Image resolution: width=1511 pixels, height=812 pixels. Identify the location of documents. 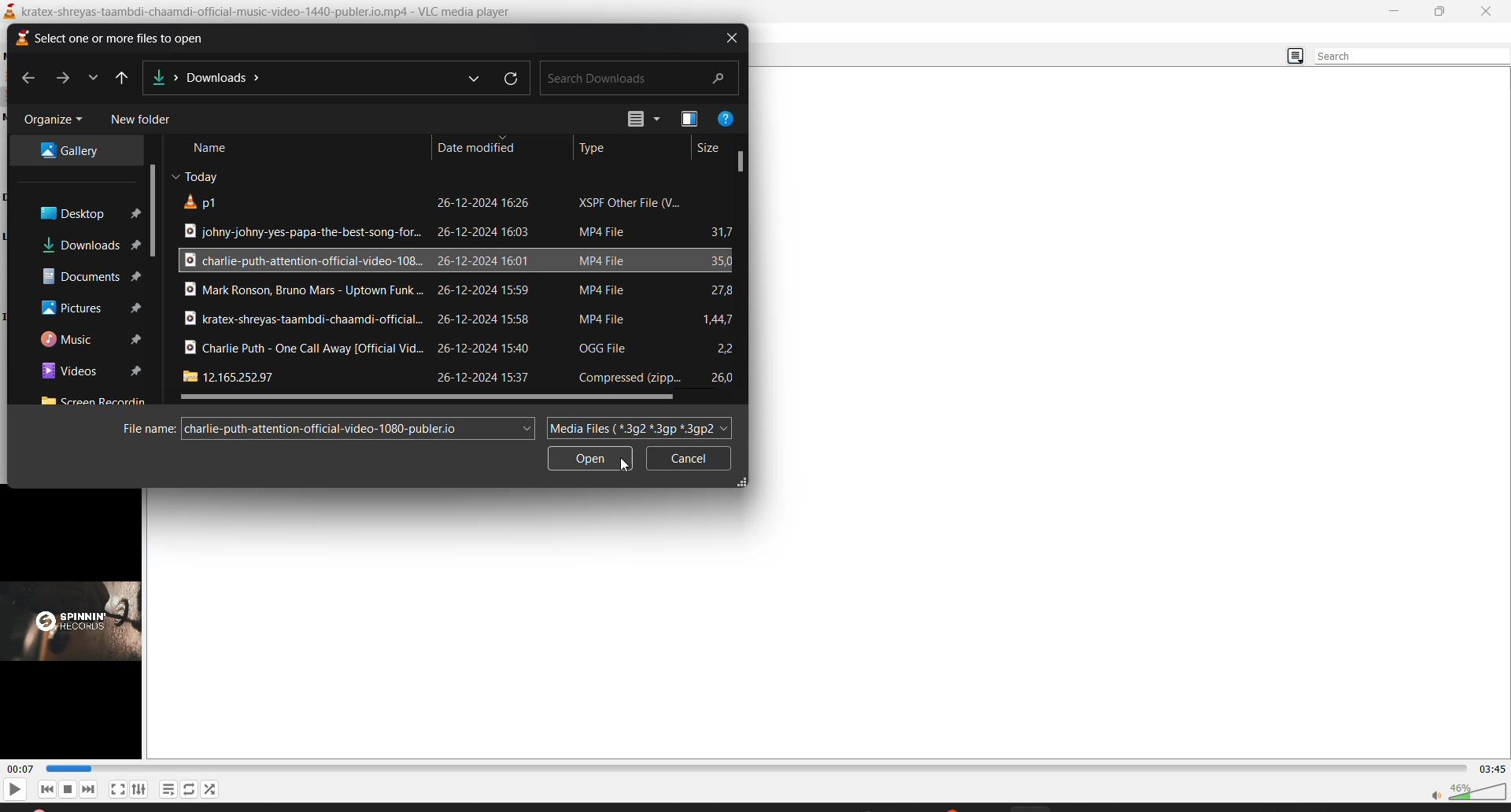
(89, 279).